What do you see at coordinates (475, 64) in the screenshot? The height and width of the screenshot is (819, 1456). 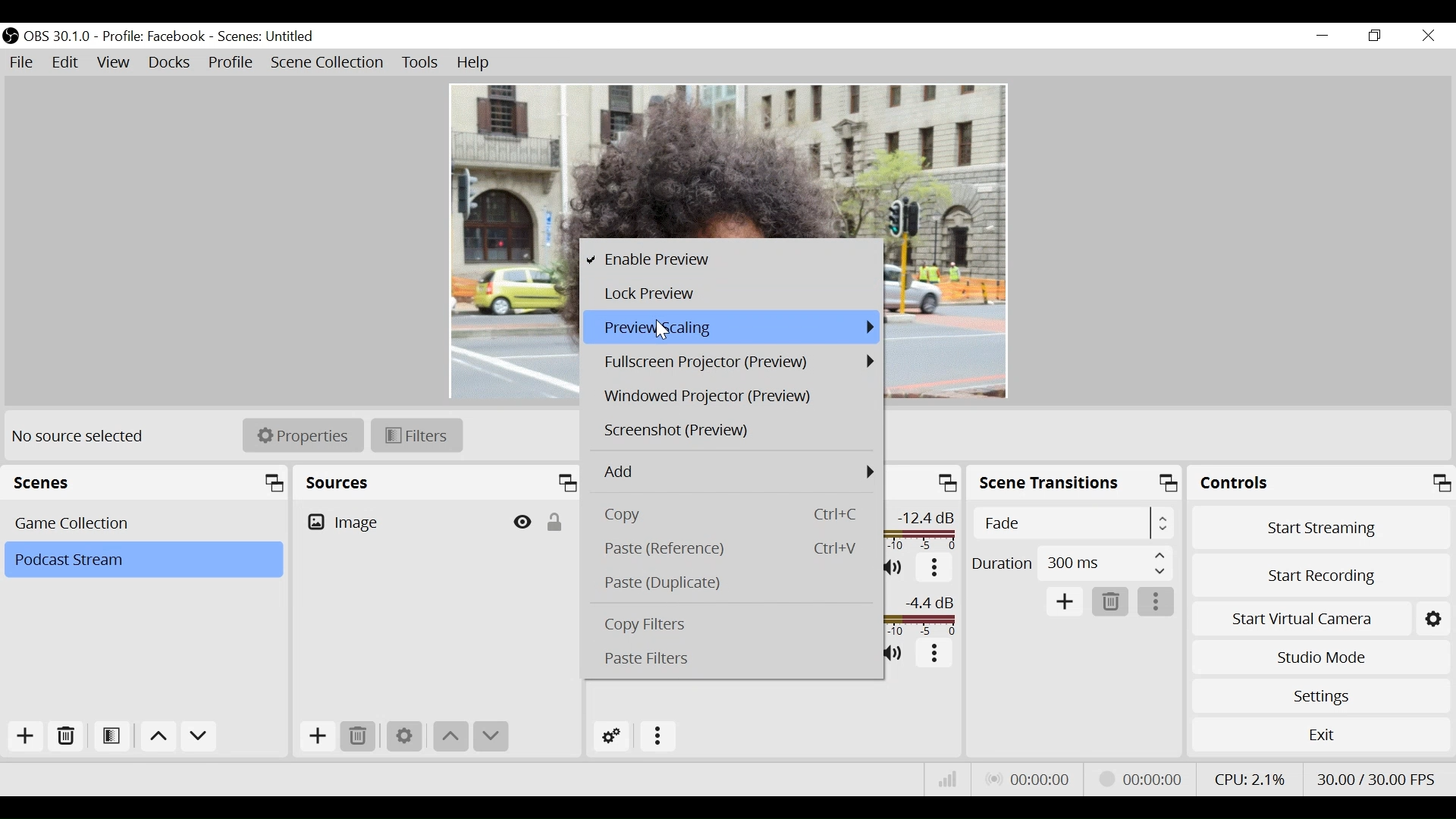 I see `Help` at bounding box center [475, 64].